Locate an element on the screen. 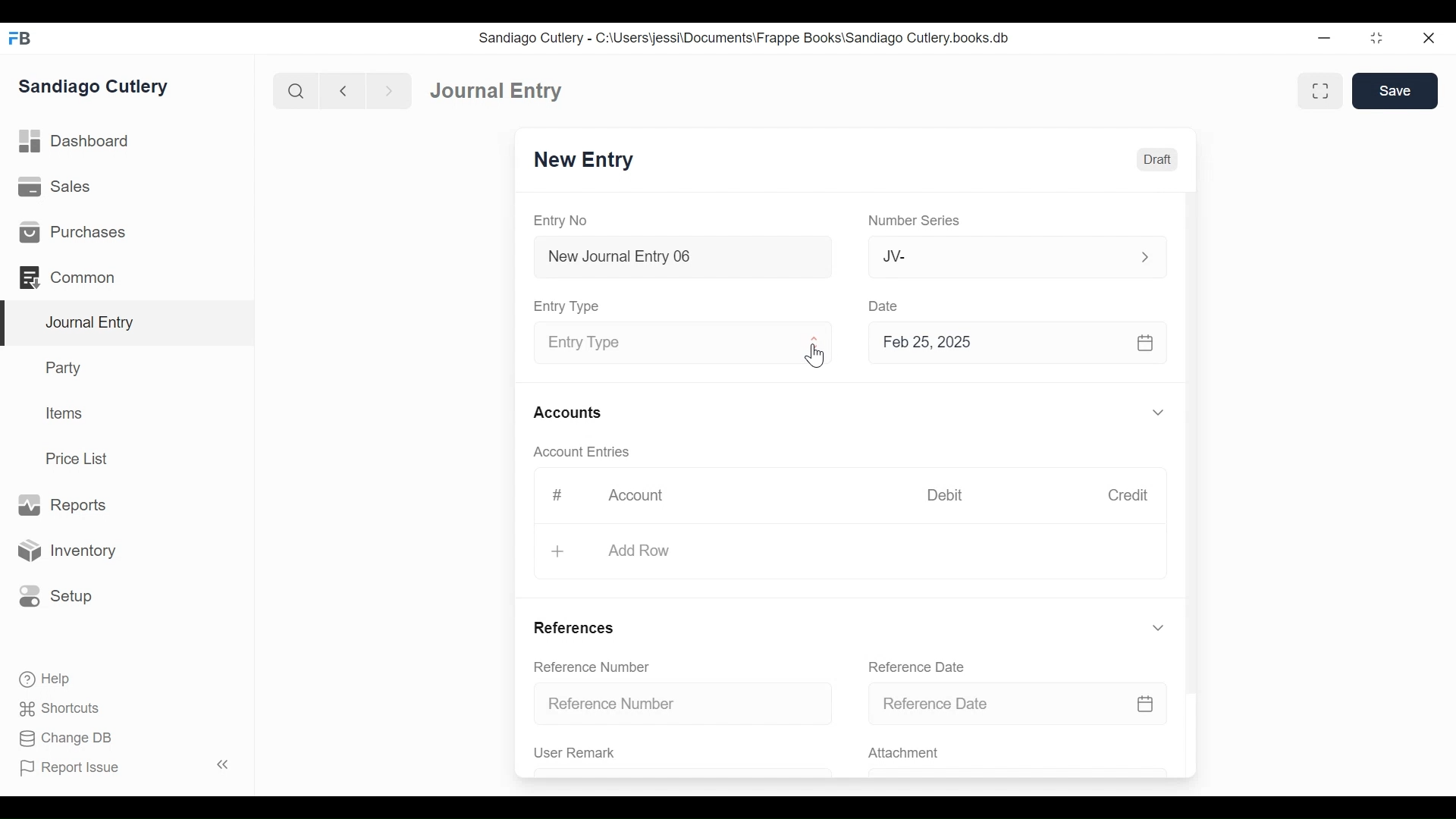 The image size is (1456, 819). New Entry is located at coordinates (584, 160).